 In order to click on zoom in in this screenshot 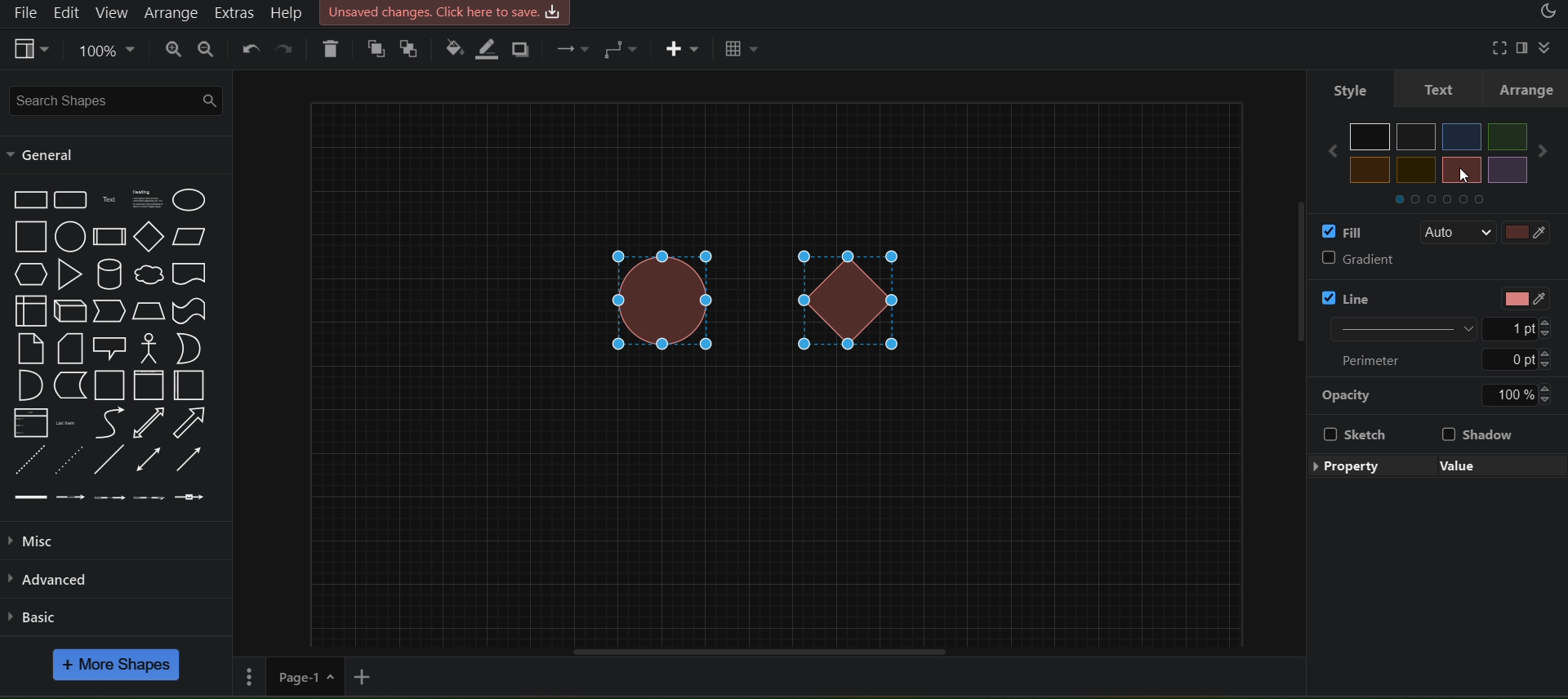, I will do `click(170, 48)`.